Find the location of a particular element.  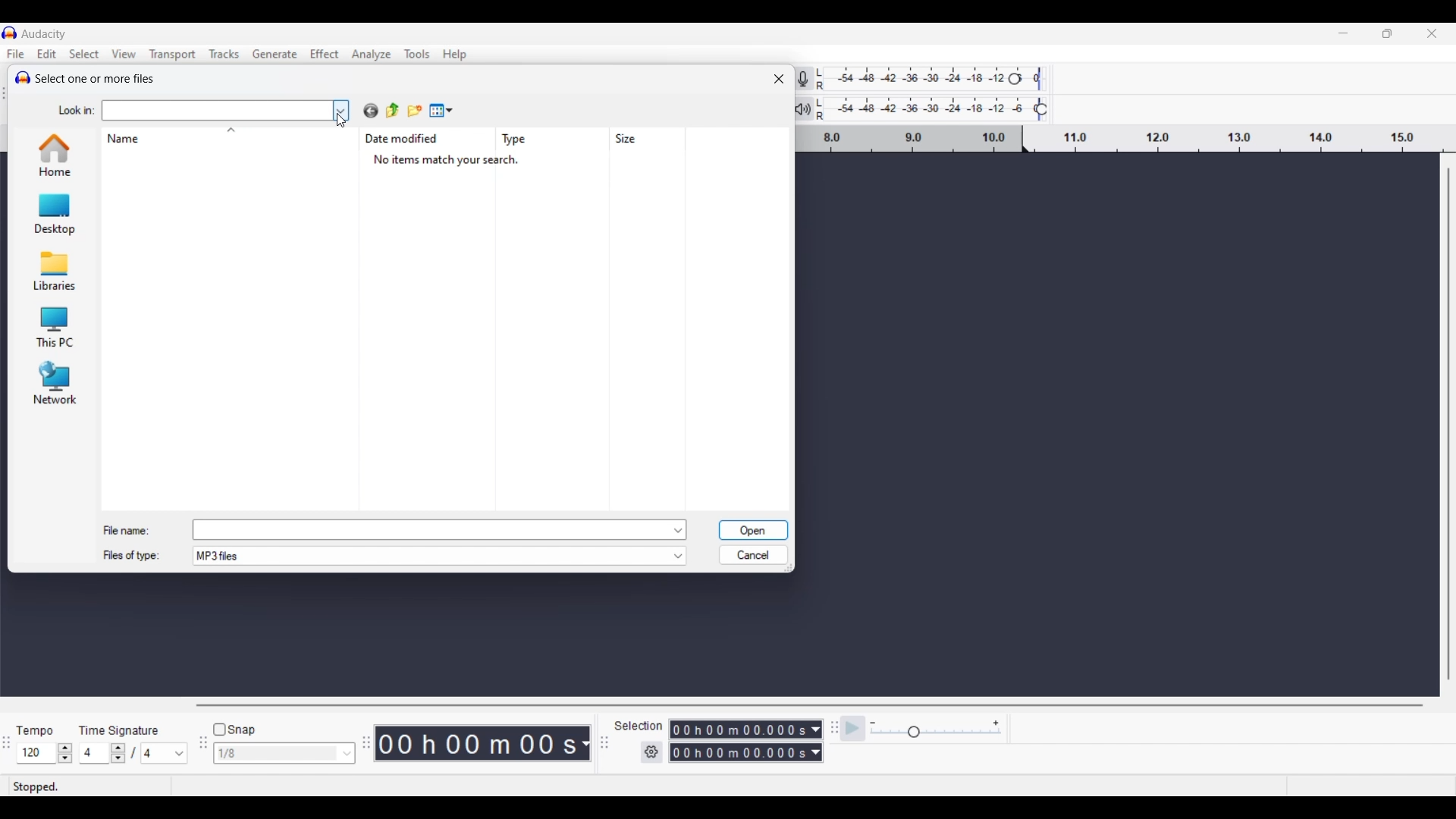

Look in: is located at coordinates (71, 108).